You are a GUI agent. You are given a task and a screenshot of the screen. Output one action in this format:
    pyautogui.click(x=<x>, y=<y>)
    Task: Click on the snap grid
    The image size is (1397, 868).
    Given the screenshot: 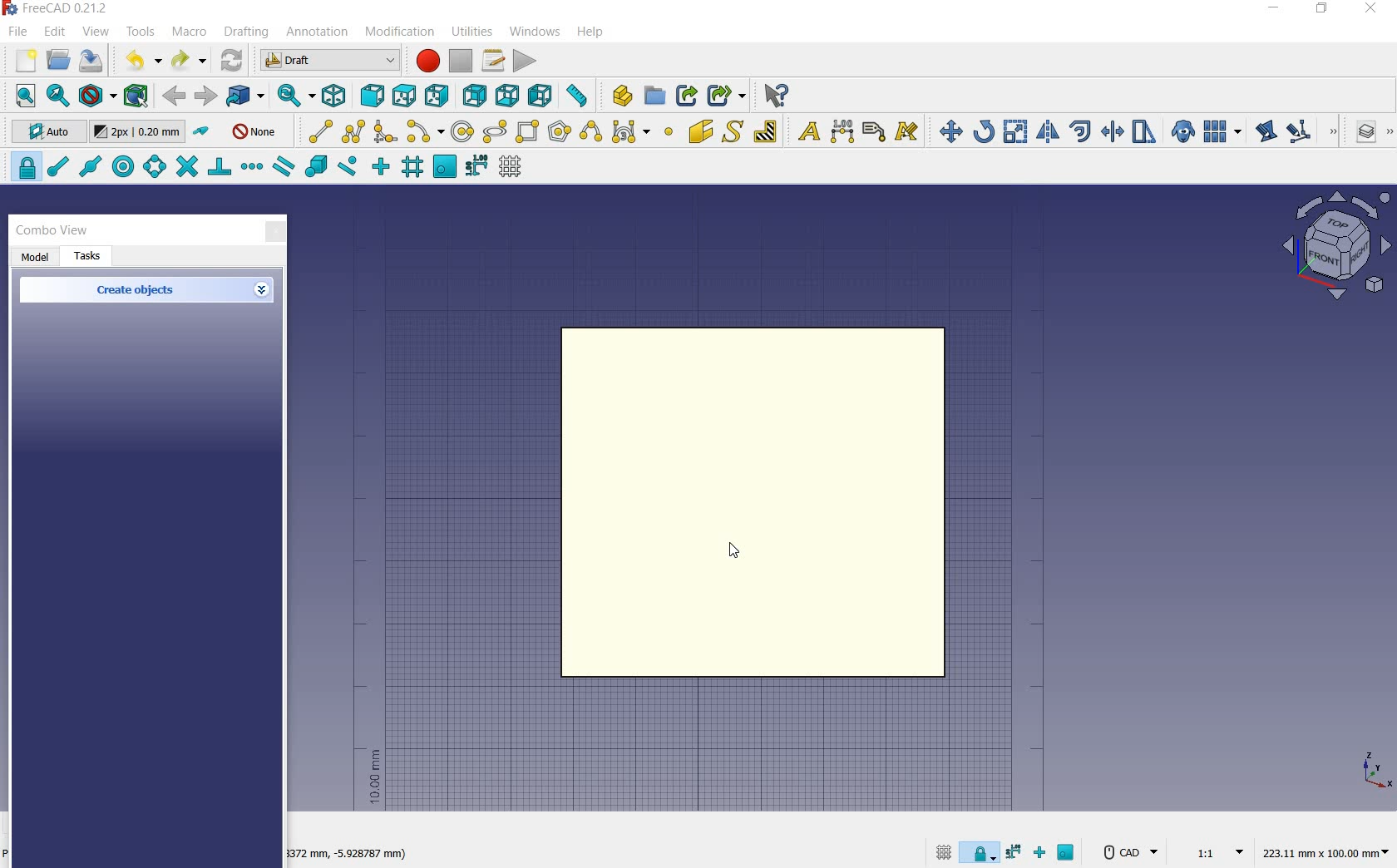 What is the action you would take?
    pyautogui.click(x=411, y=169)
    